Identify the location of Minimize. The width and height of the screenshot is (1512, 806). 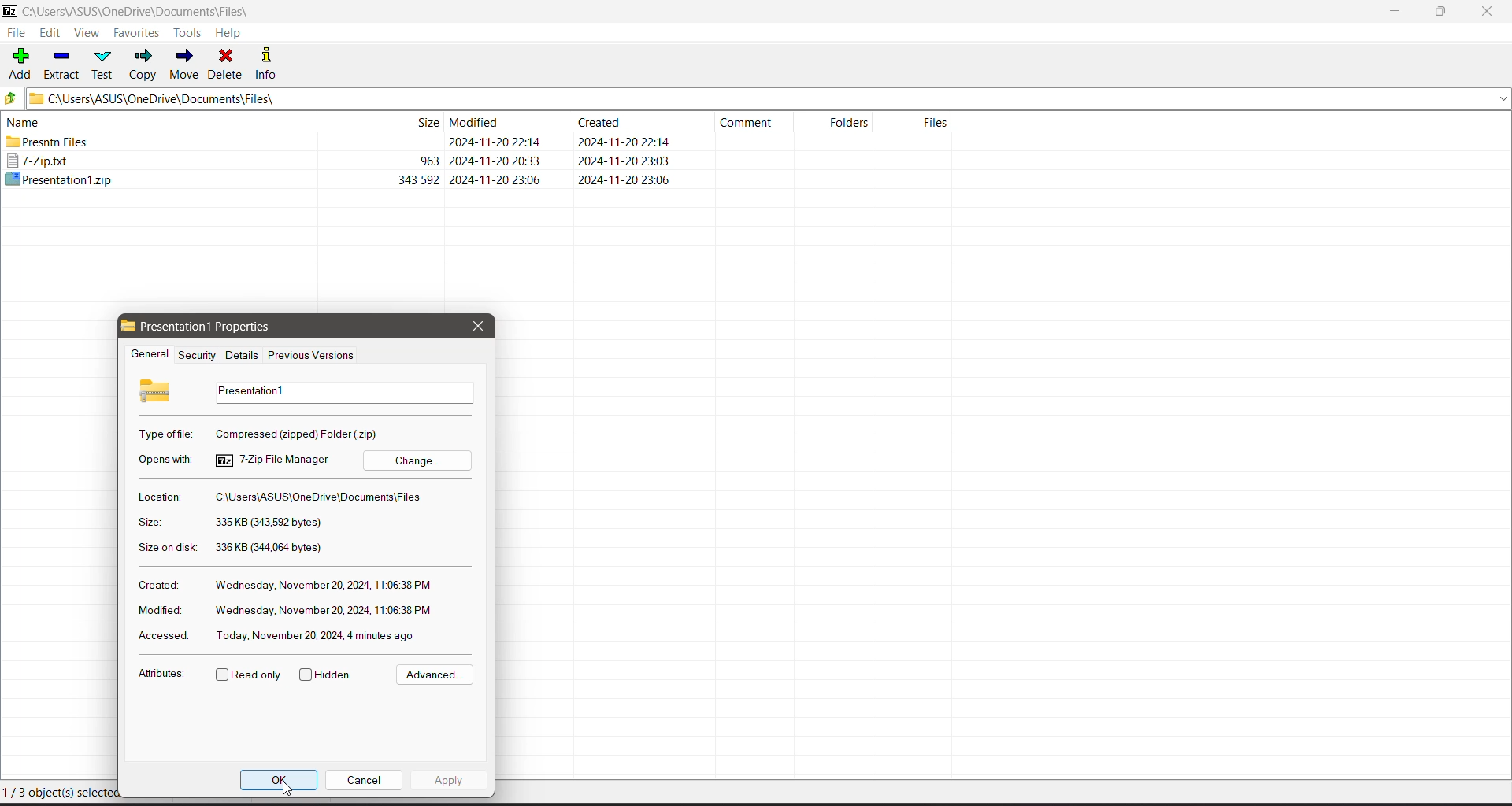
(1395, 12).